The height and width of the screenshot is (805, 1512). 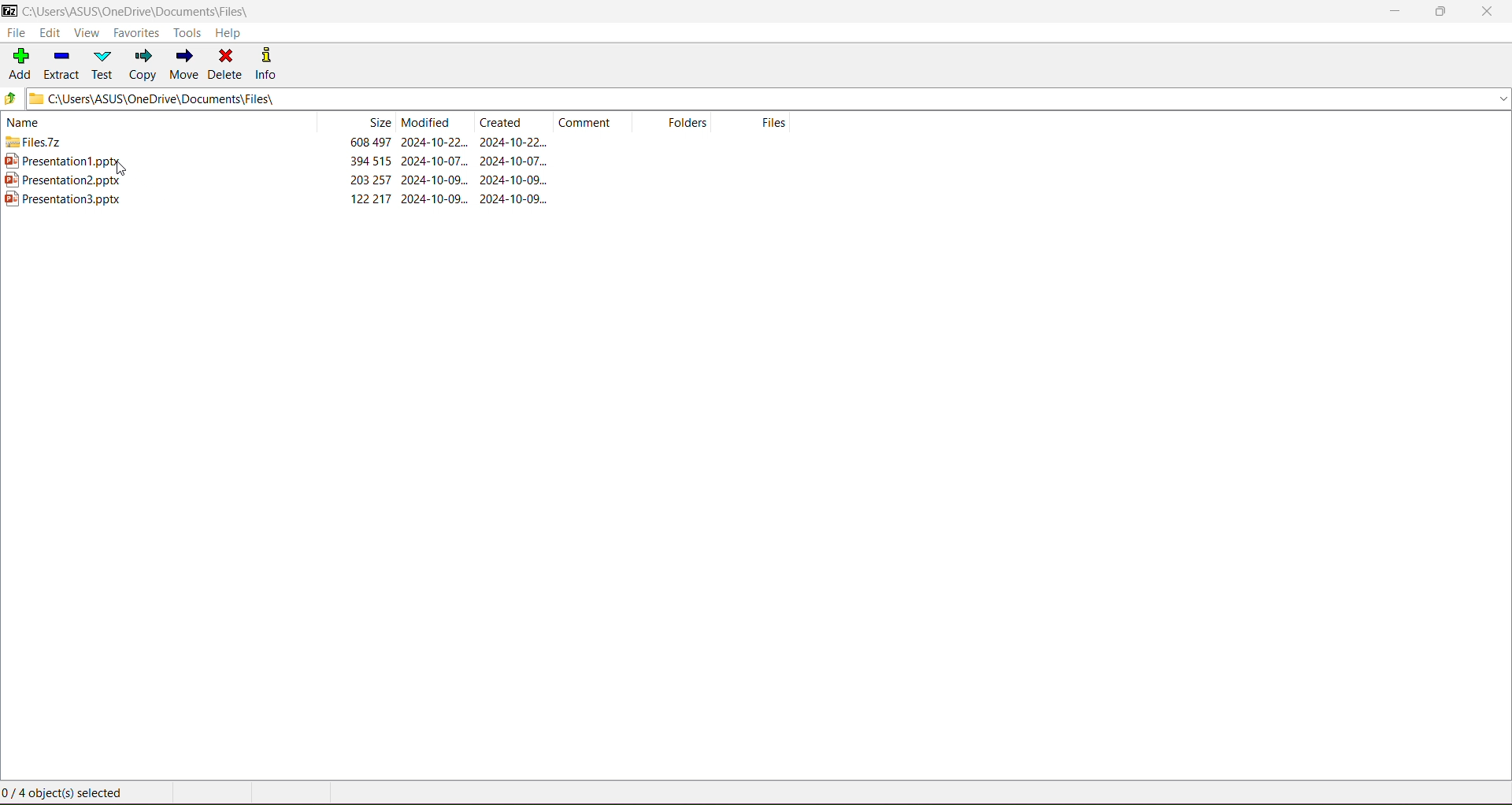 What do you see at coordinates (513, 142) in the screenshot?
I see `2024-10-22` at bounding box center [513, 142].